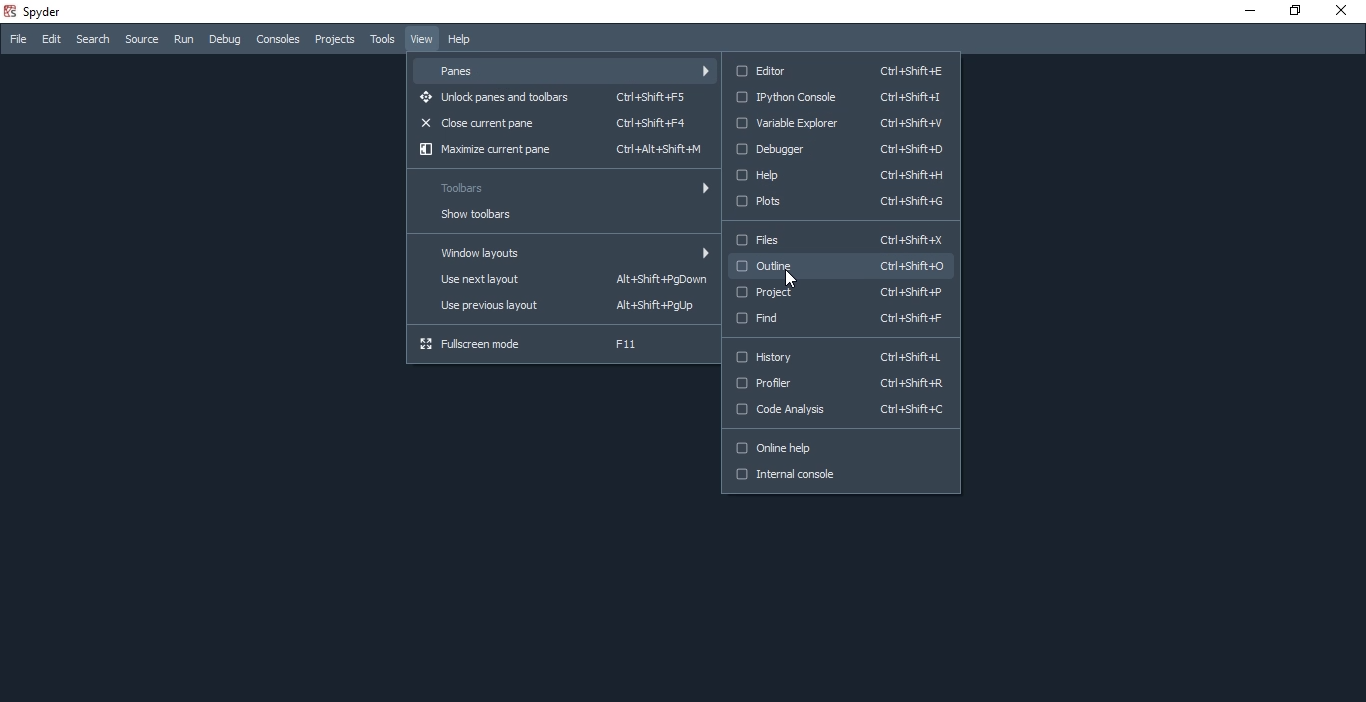  What do you see at coordinates (1344, 14) in the screenshot?
I see `close` at bounding box center [1344, 14].